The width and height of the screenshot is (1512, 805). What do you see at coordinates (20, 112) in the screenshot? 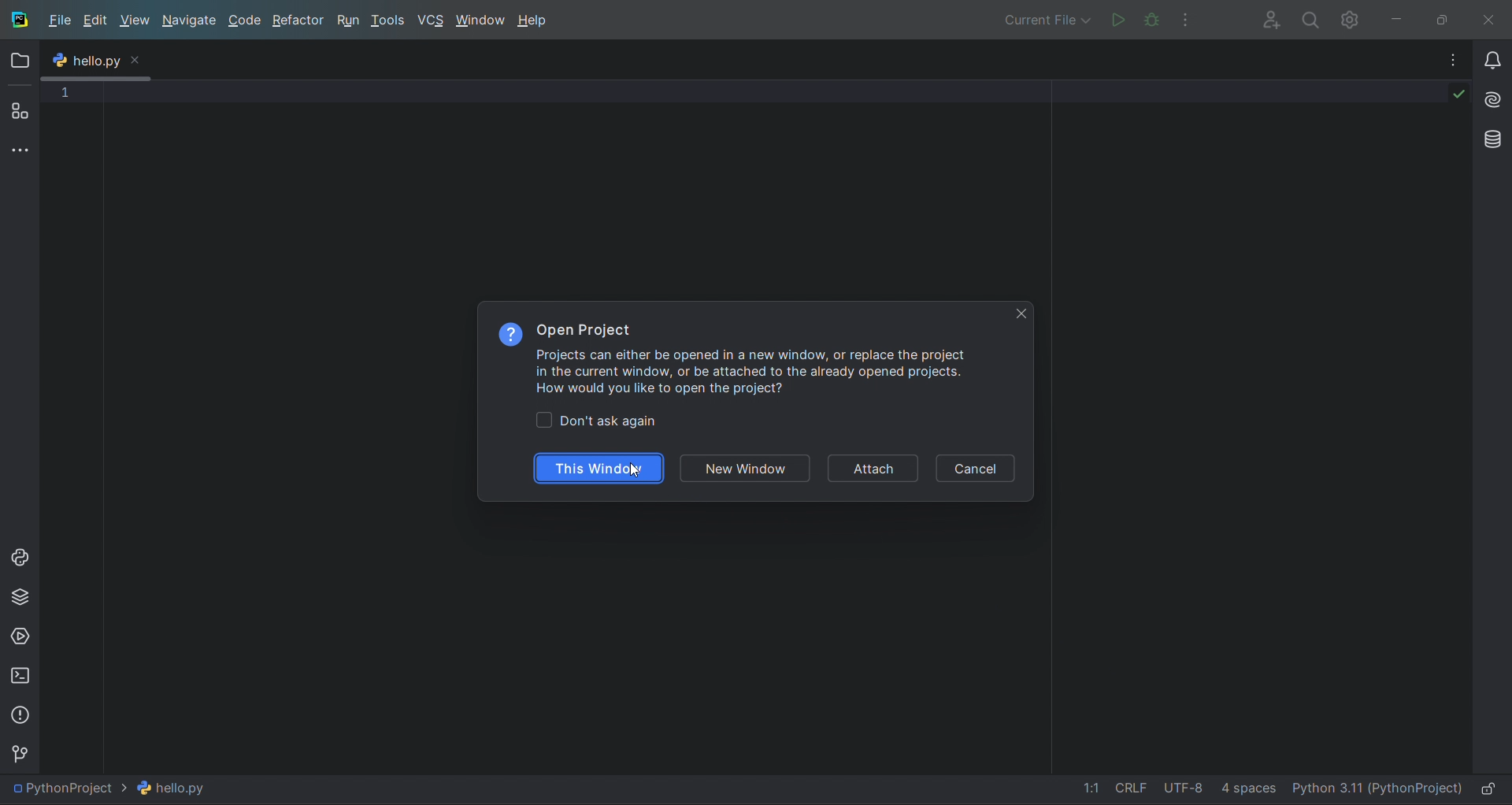
I see `structure` at bounding box center [20, 112].